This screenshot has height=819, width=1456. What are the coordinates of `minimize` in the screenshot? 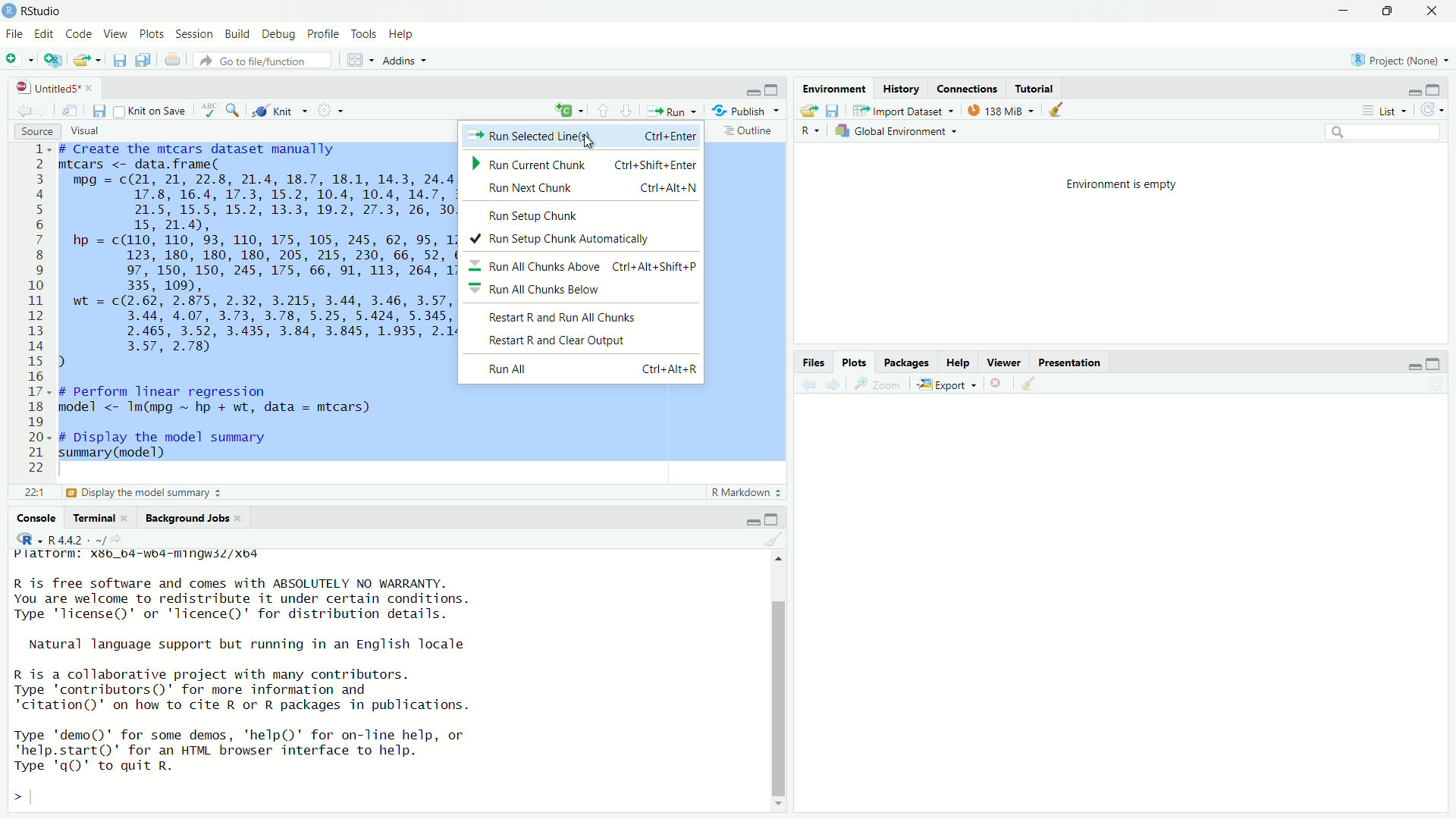 It's located at (752, 521).